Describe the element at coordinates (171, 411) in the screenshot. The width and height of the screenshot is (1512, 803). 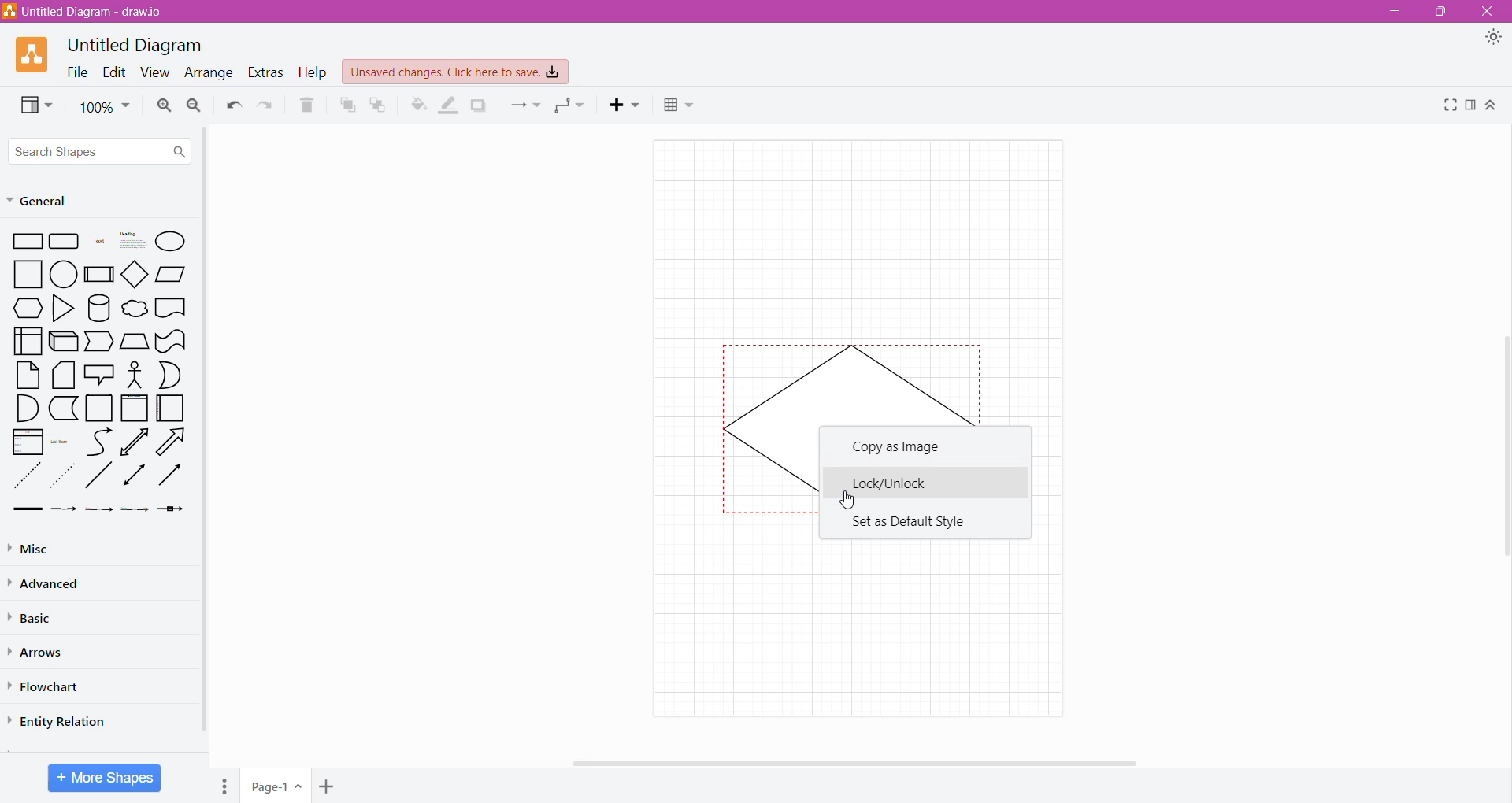
I see `Horizontal Container` at that location.